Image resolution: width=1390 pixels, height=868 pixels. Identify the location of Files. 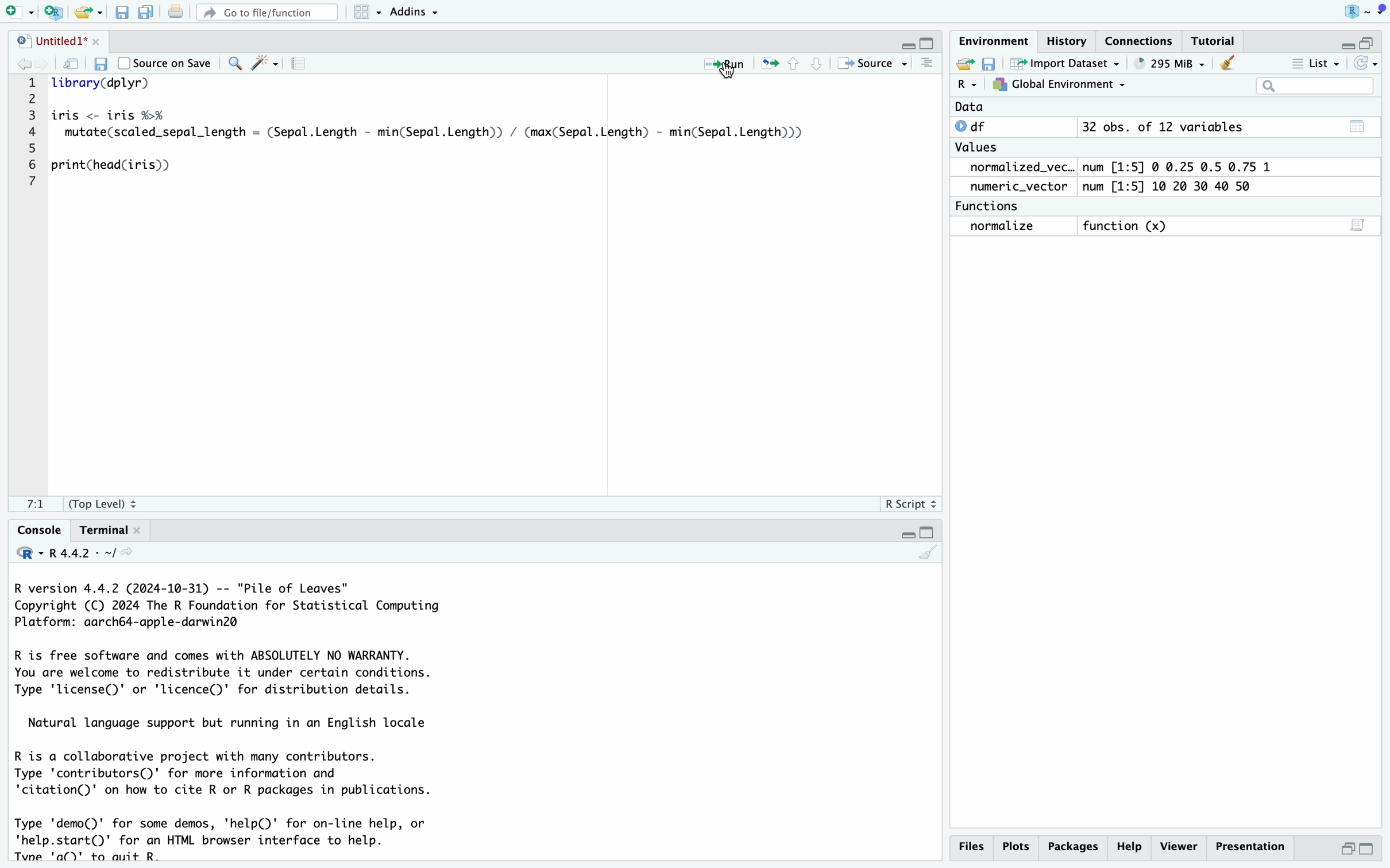
(970, 846).